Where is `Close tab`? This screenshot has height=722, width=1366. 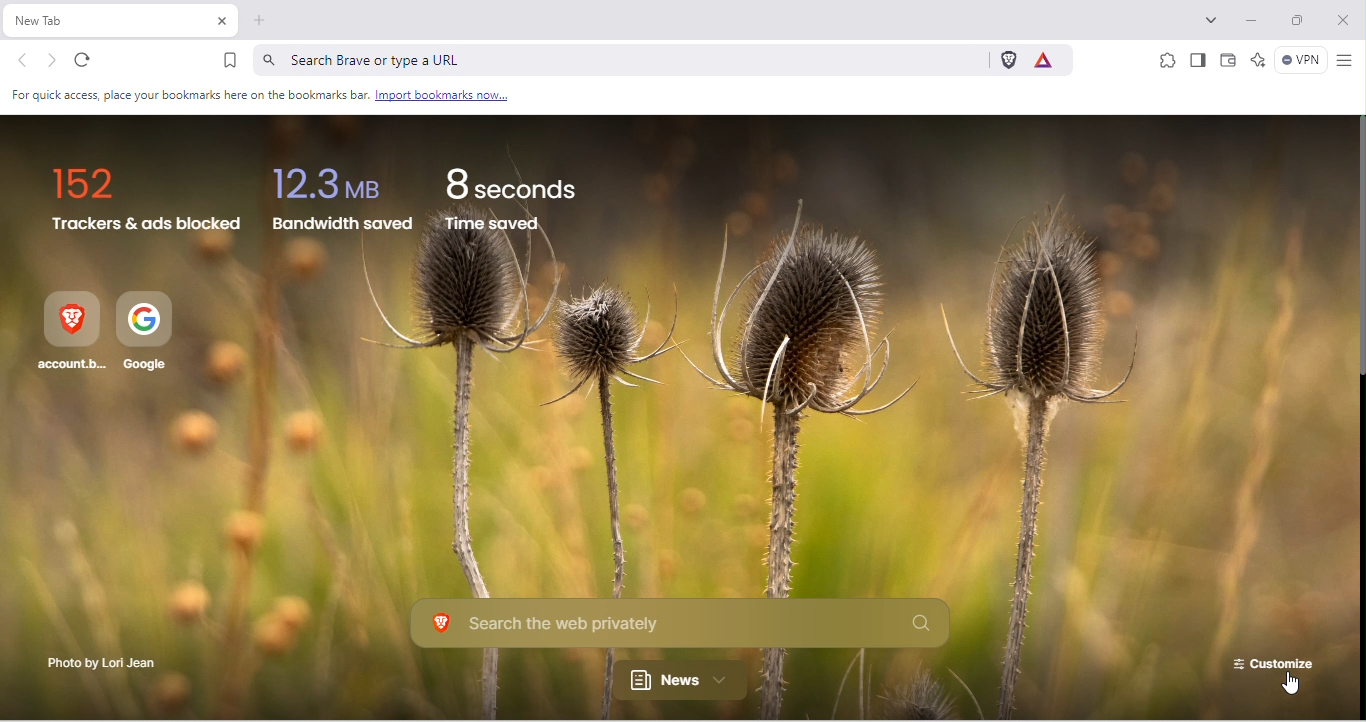
Close tab is located at coordinates (221, 22).